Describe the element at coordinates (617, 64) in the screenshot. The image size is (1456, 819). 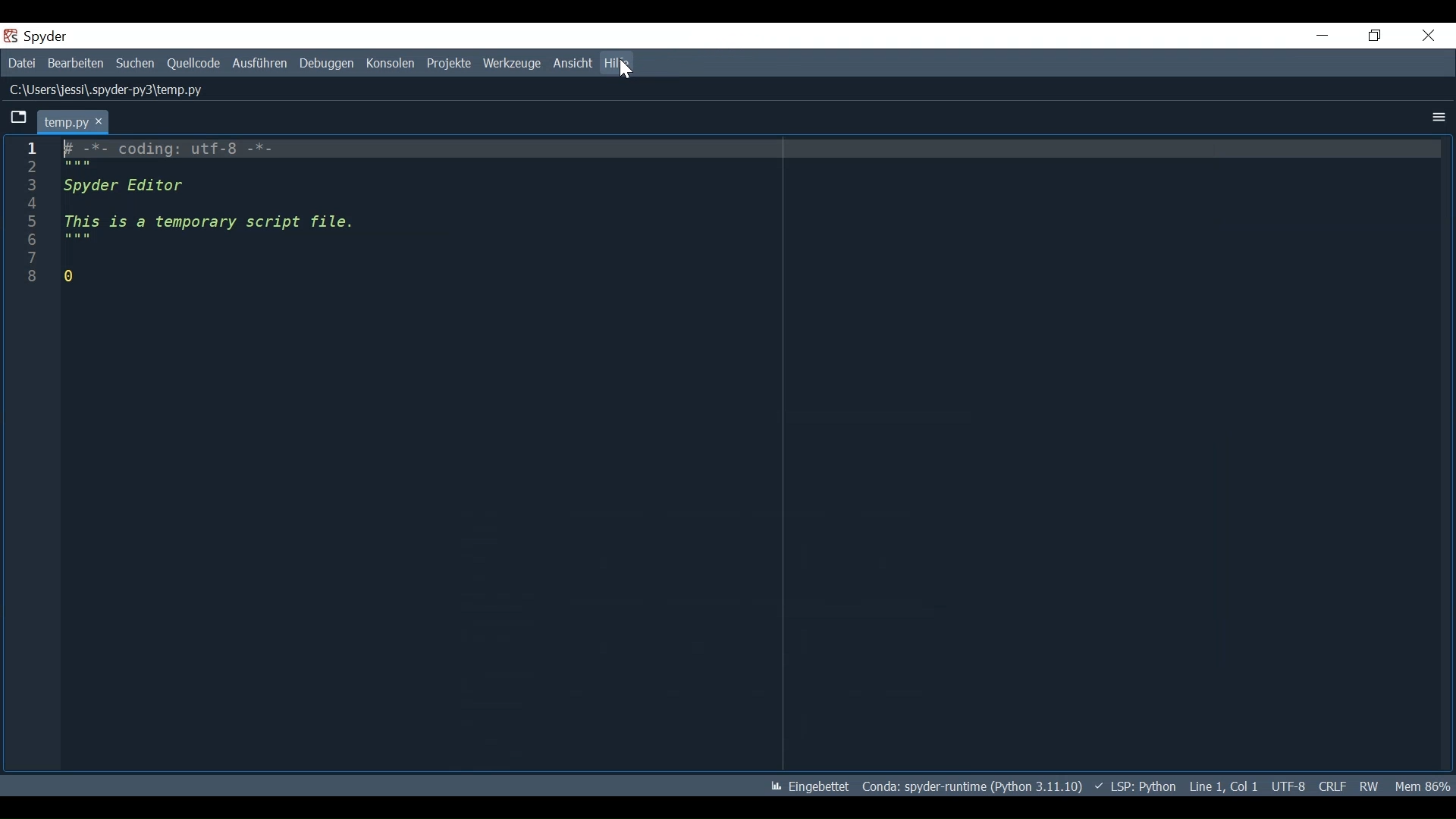
I see `Help` at that location.